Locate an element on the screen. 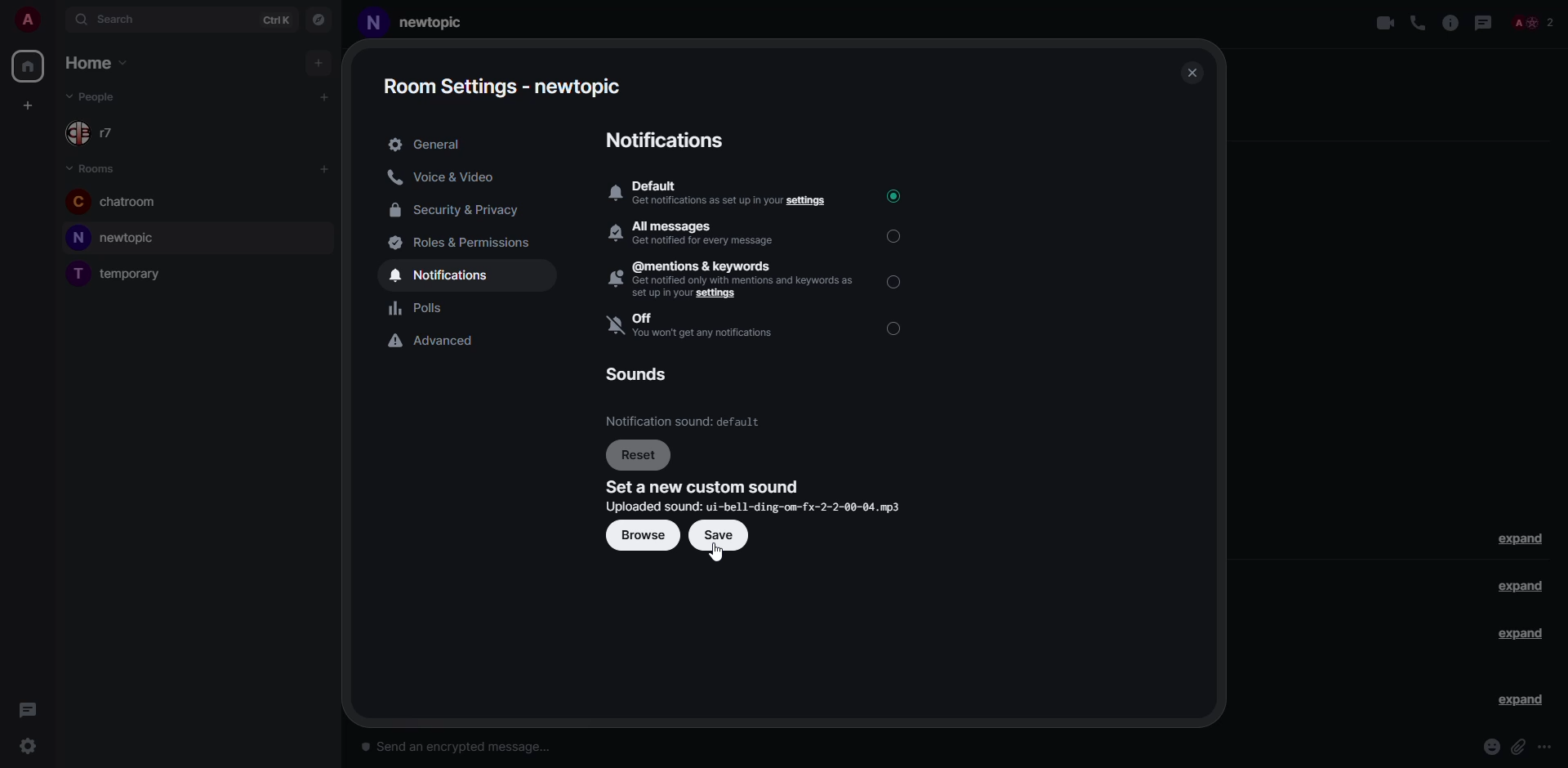 This screenshot has height=768, width=1568. expand is located at coordinates (1519, 700).